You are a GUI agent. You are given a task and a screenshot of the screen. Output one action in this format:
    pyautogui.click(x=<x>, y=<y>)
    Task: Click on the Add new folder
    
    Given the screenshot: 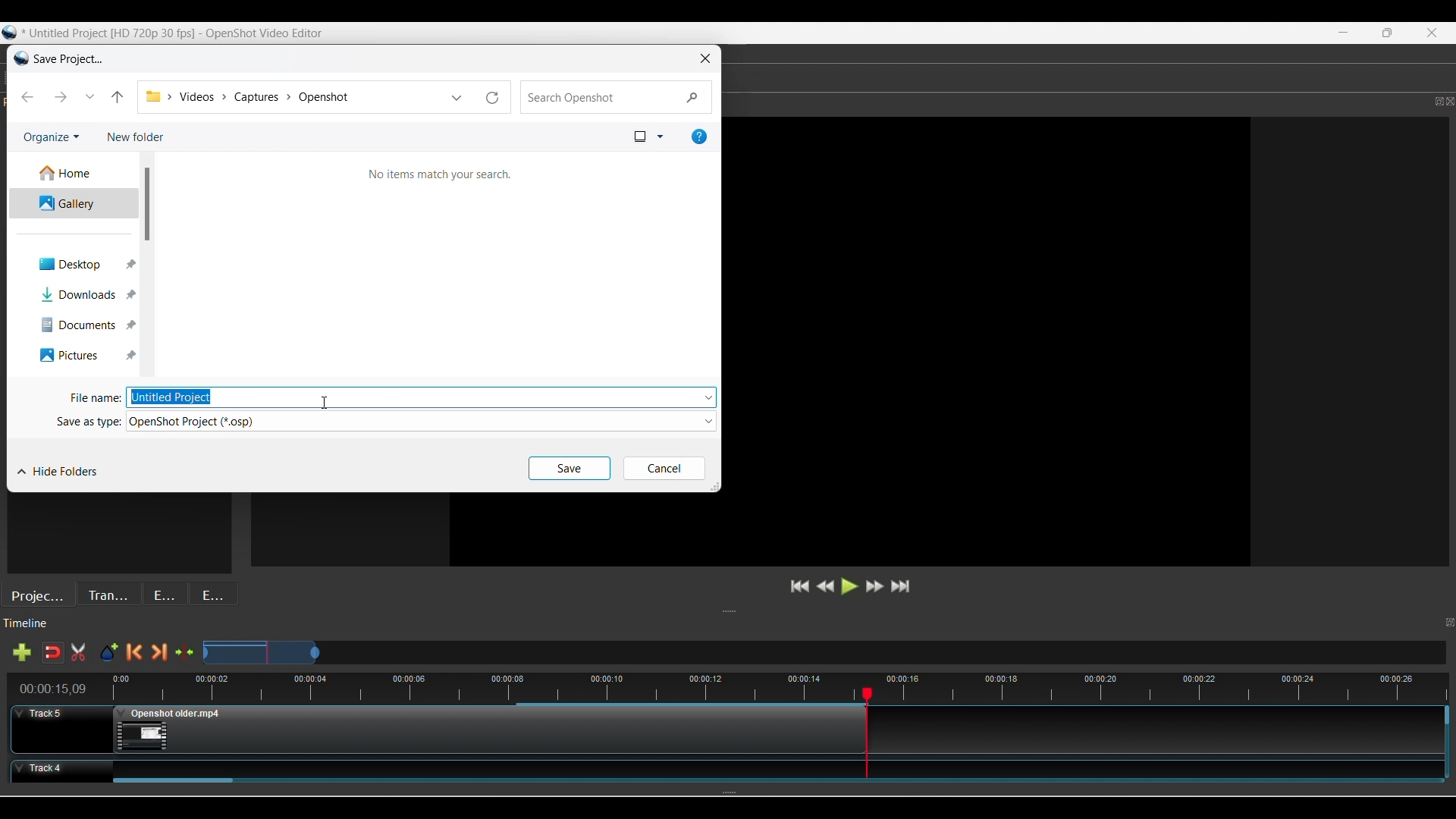 What is the action you would take?
    pyautogui.click(x=136, y=136)
    